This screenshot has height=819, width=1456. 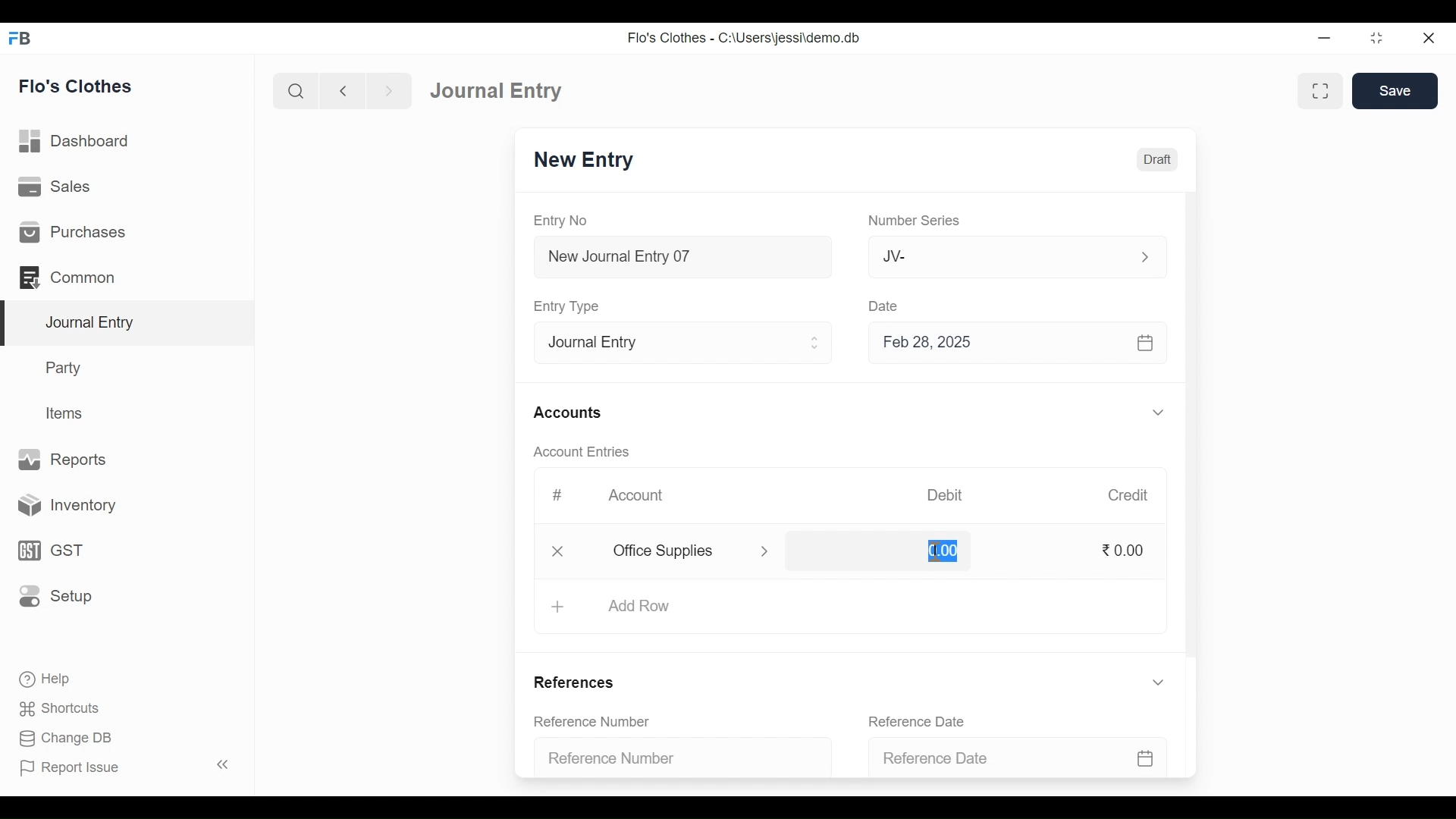 What do you see at coordinates (1395, 90) in the screenshot?
I see `Save` at bounding box center [1395, 90].